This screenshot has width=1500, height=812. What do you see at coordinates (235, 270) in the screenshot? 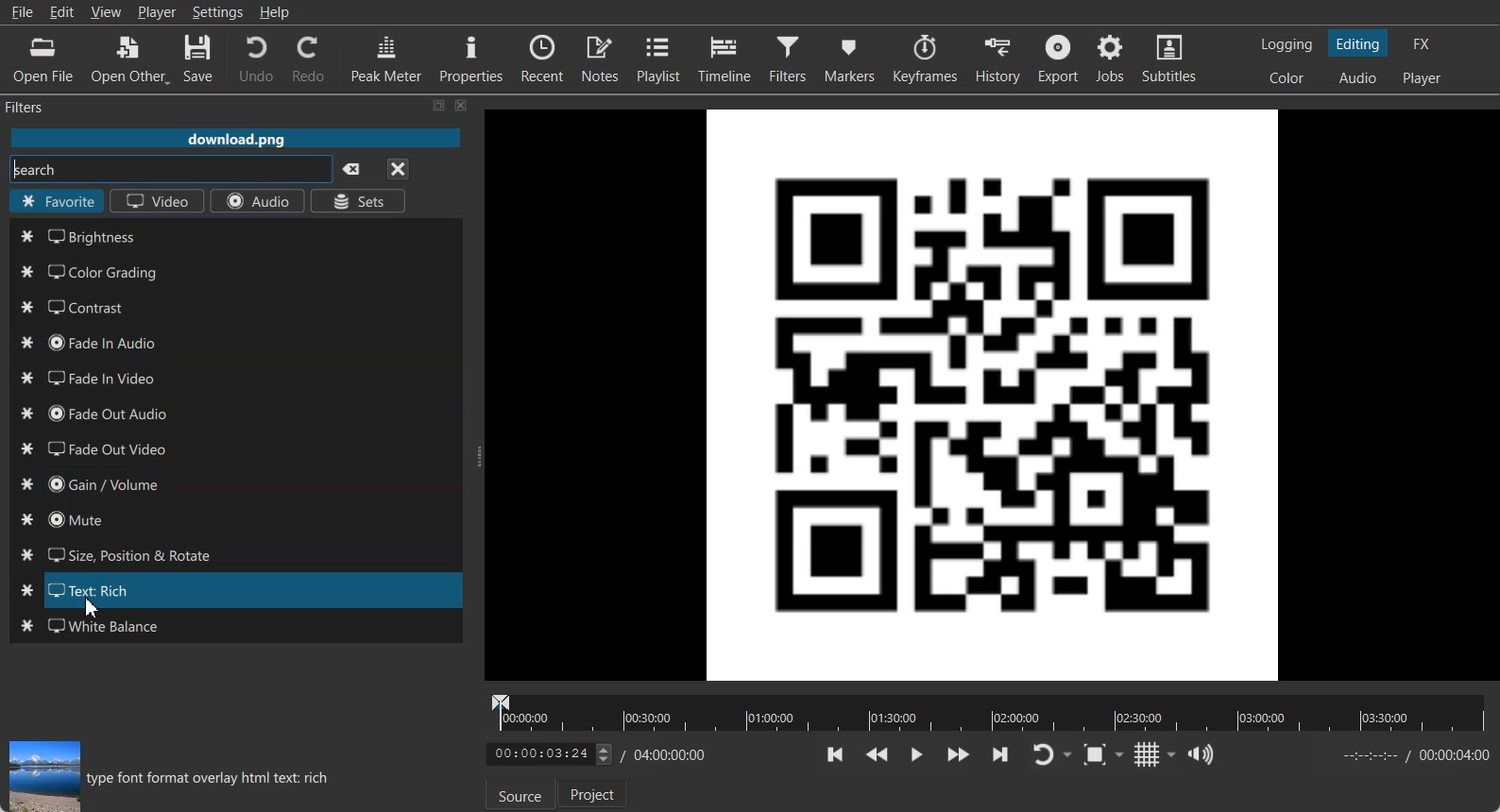
I see `Color Grading` at bounding box center [235, 270].